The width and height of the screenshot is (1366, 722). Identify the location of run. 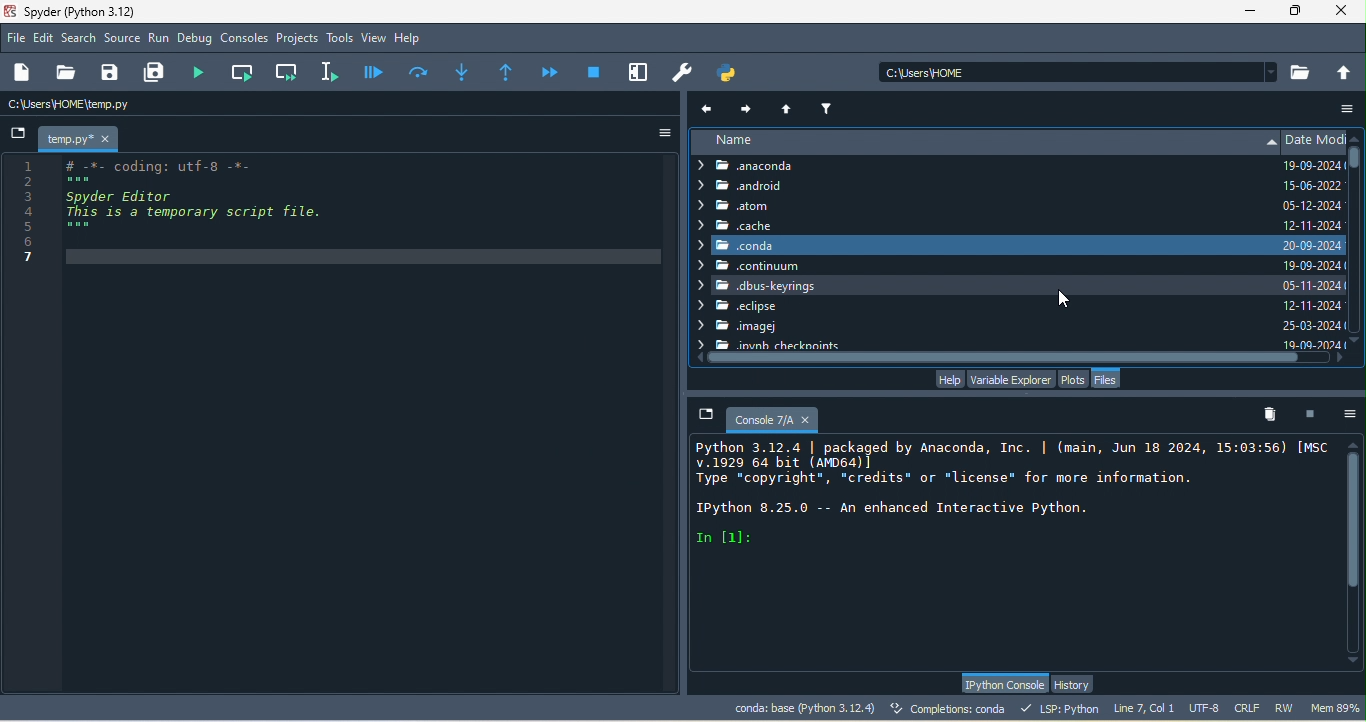
(159, 39).